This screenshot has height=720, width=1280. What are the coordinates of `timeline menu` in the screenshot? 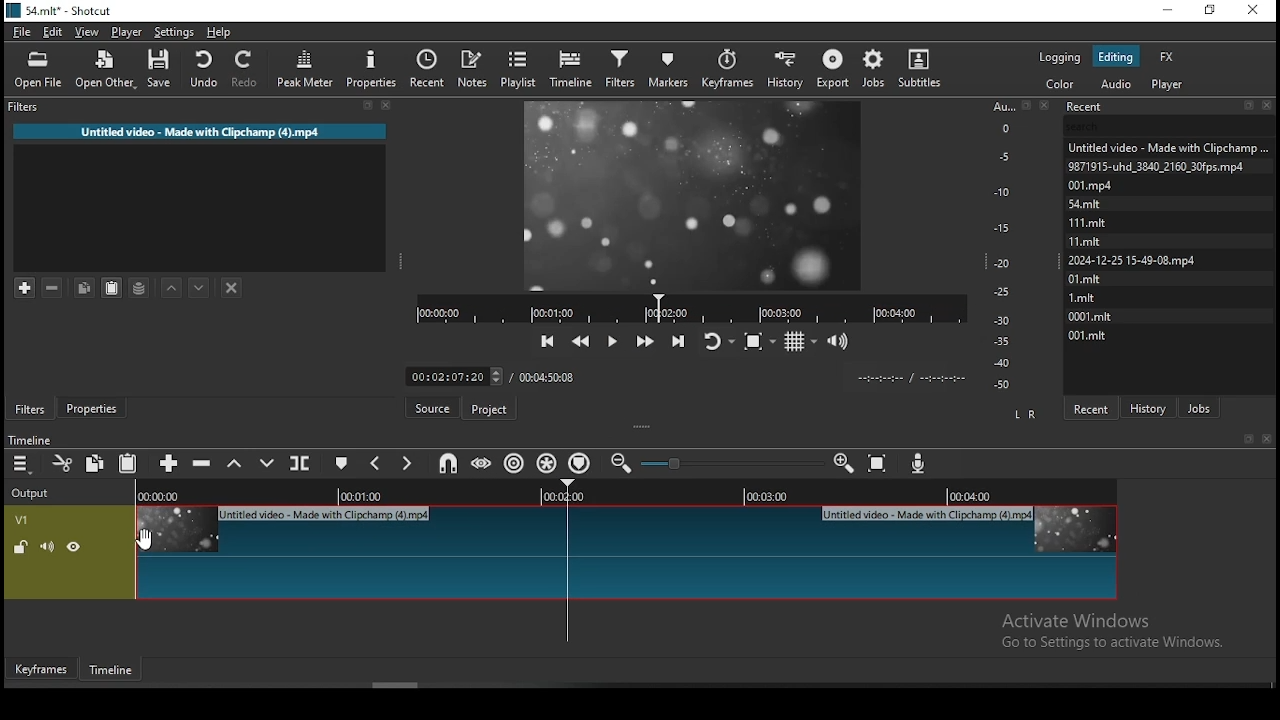 It's located at (21, 464).